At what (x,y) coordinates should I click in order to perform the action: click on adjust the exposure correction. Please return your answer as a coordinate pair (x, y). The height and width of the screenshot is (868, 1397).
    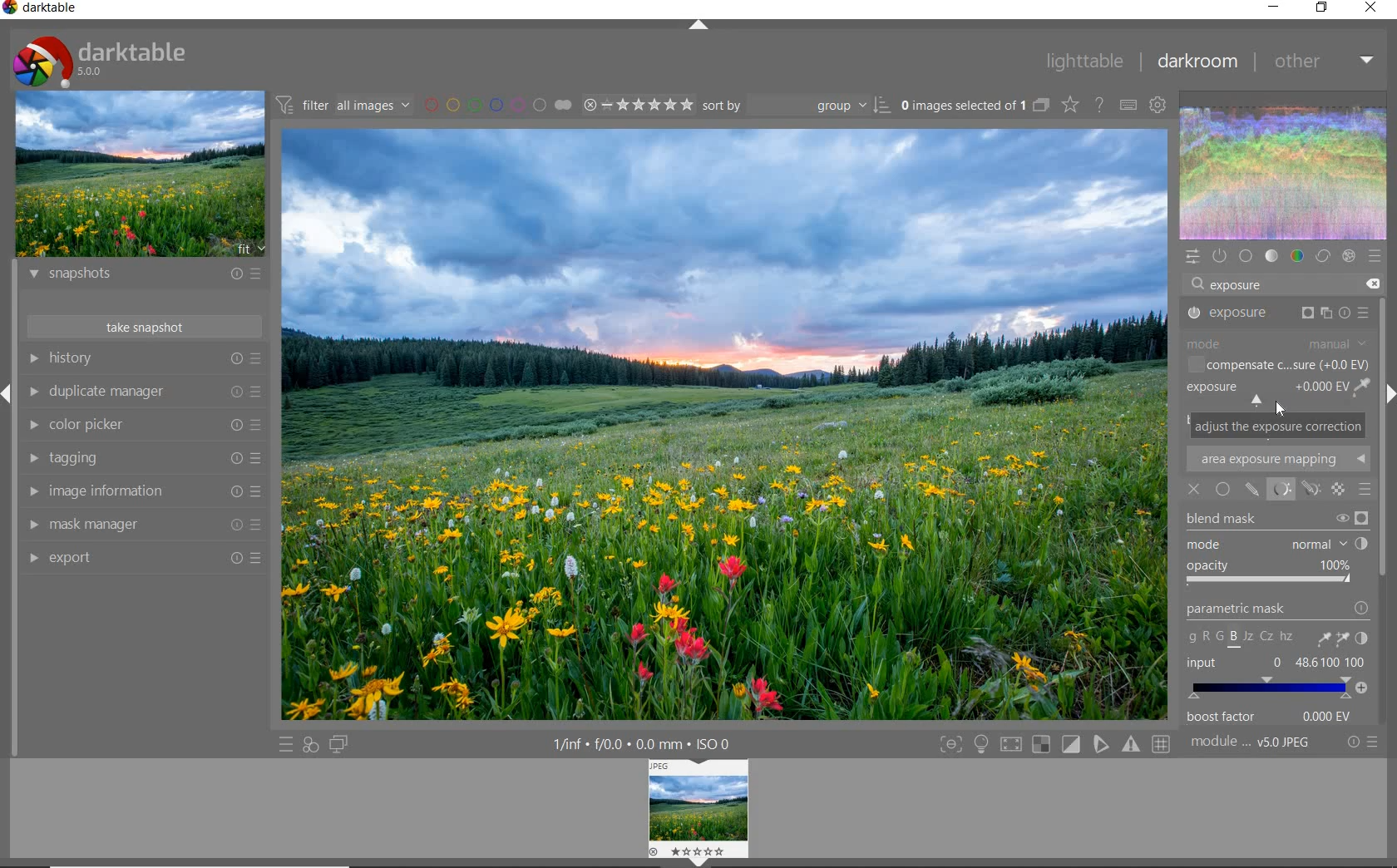
    Looking at the image, I should click on (1278, 426).